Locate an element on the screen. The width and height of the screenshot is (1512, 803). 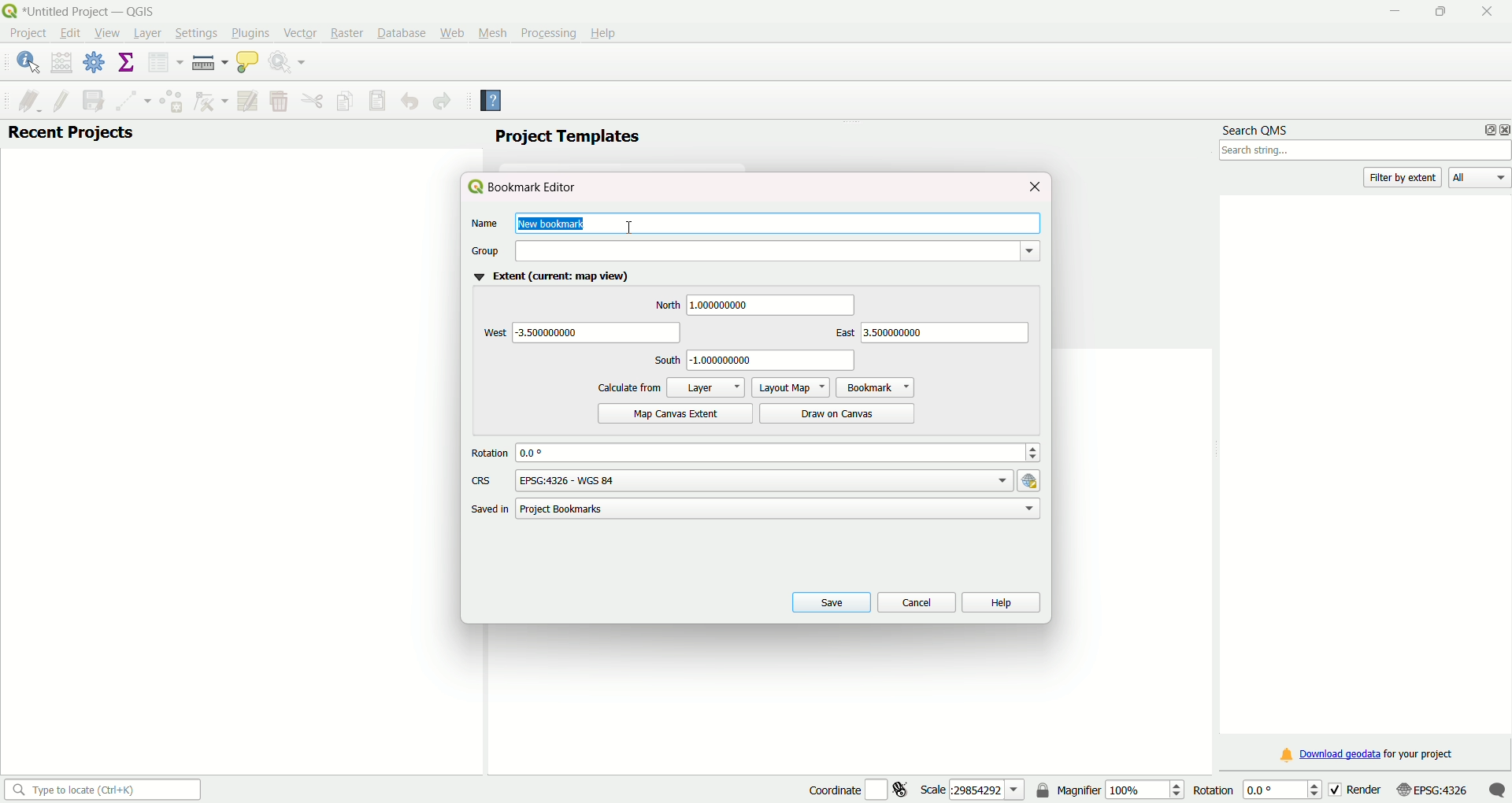
close is located at coordinates (1034, 186).